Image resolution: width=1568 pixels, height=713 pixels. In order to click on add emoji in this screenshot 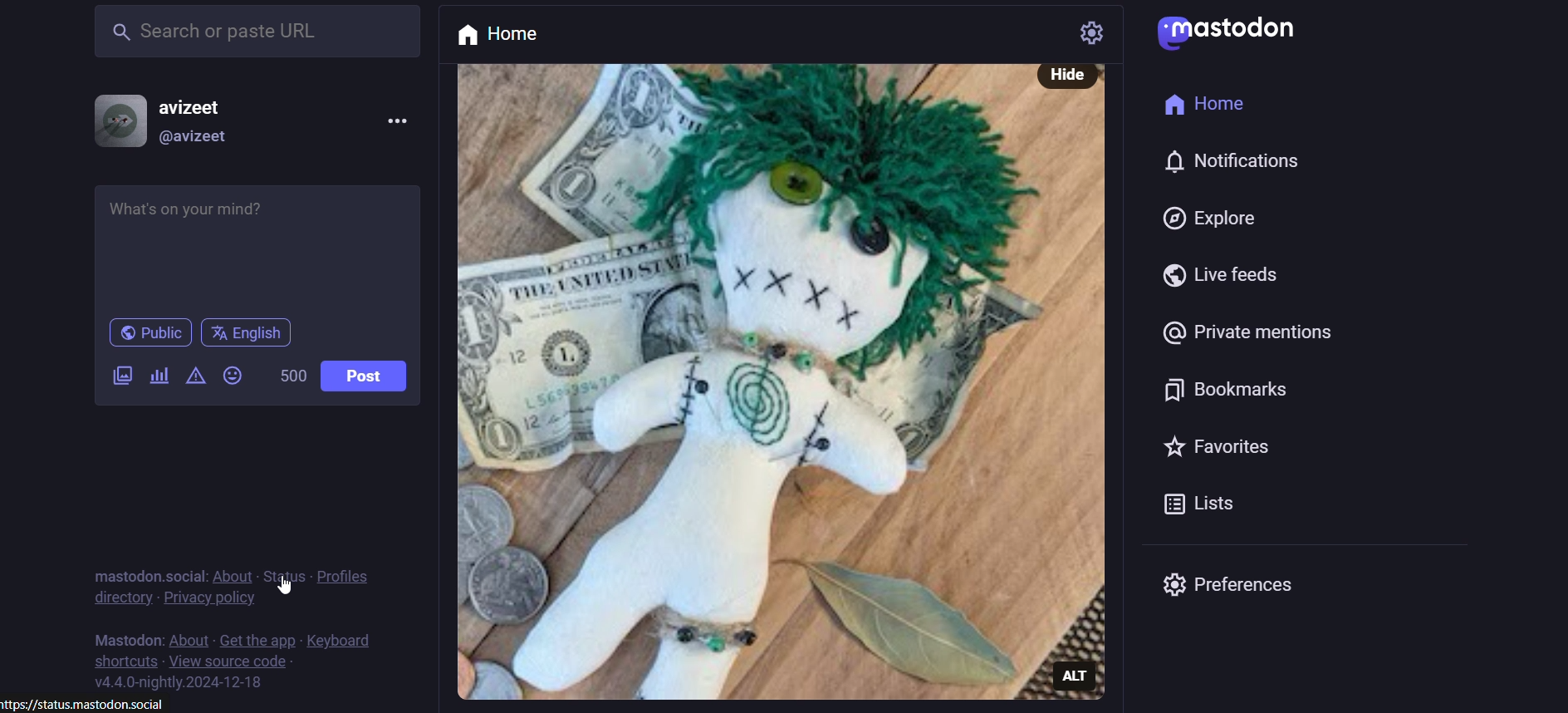, I will do `click(228, 375)`.